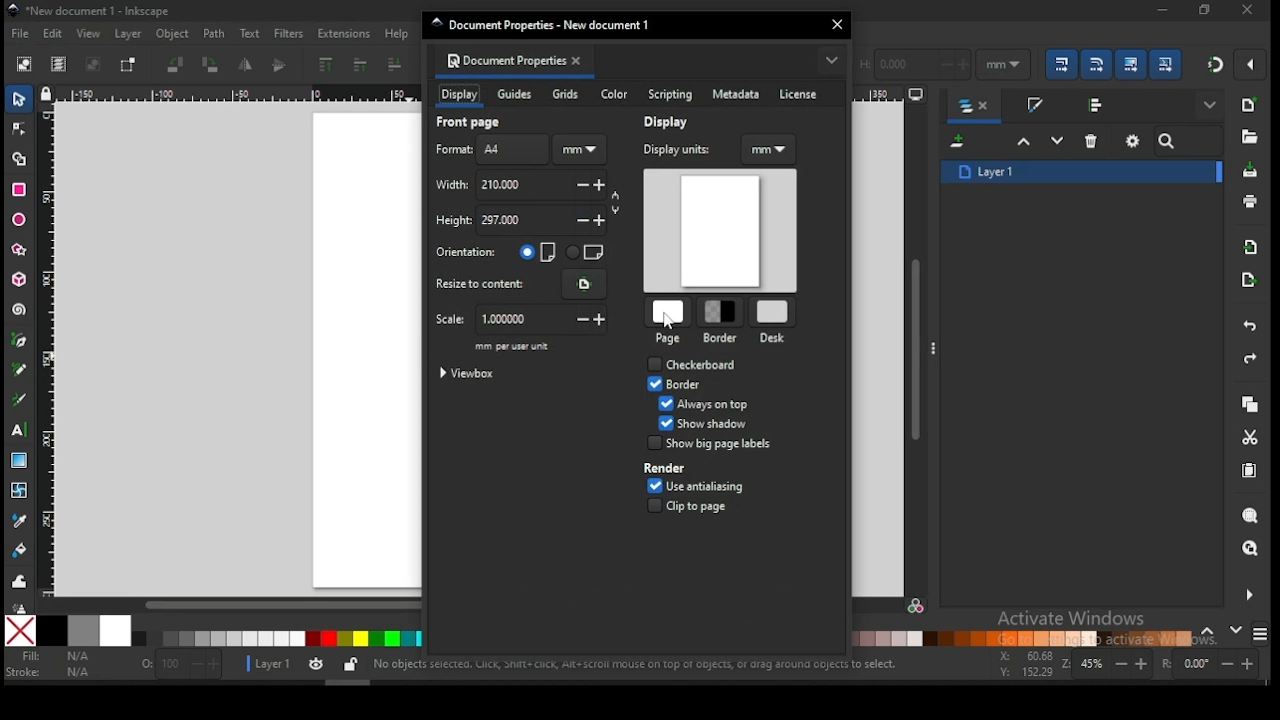 The image size is (1280, 720). What do you see at coordinates (1023, 662) in the screenshot?
I see `cursor coordinates` at bounding box center [1023, 662].